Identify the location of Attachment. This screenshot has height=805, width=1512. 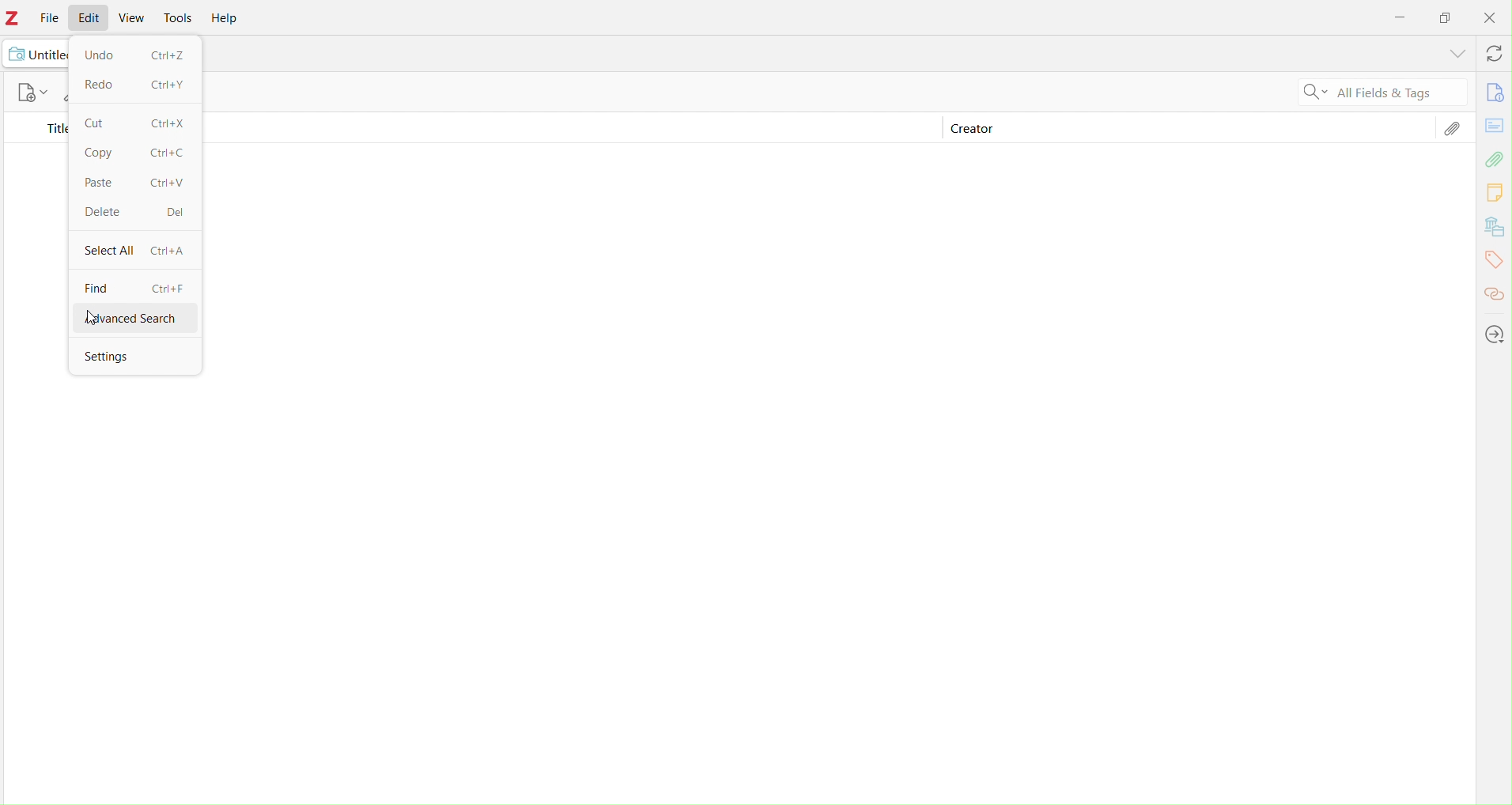
(1496, 160).